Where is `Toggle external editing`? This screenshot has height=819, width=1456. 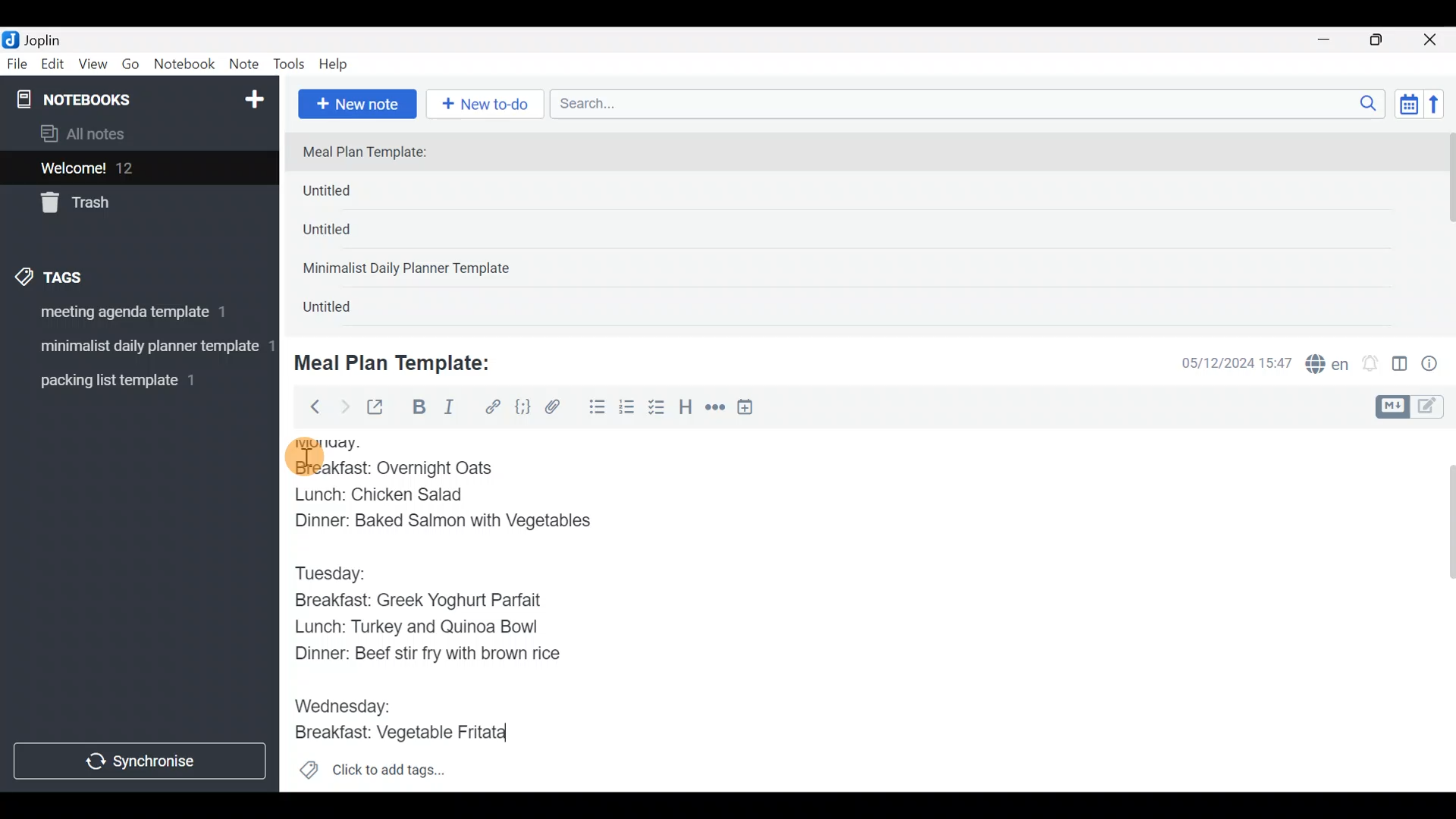 Toggle external editing is located at coordinates (381, 408).